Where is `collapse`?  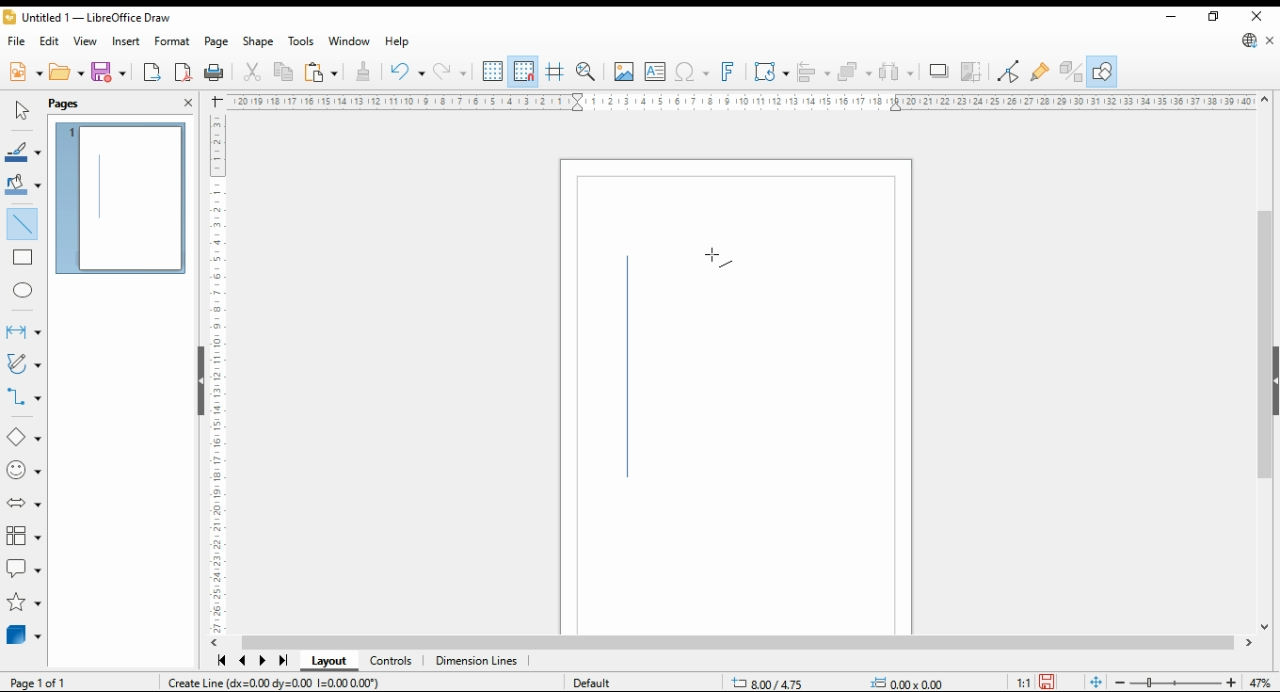
collapse is located at coordinates (199, 379).